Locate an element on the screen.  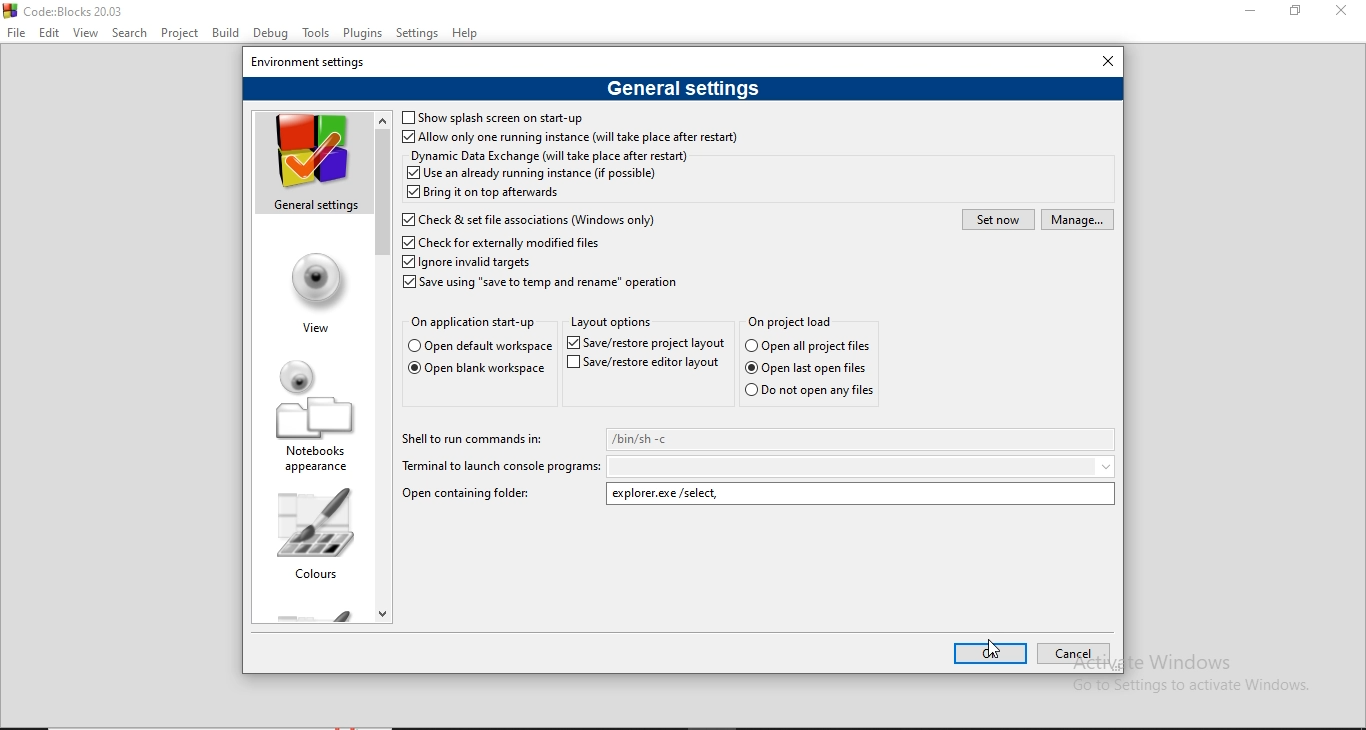
Check for externally modified files is located at coordinates (527, 218).